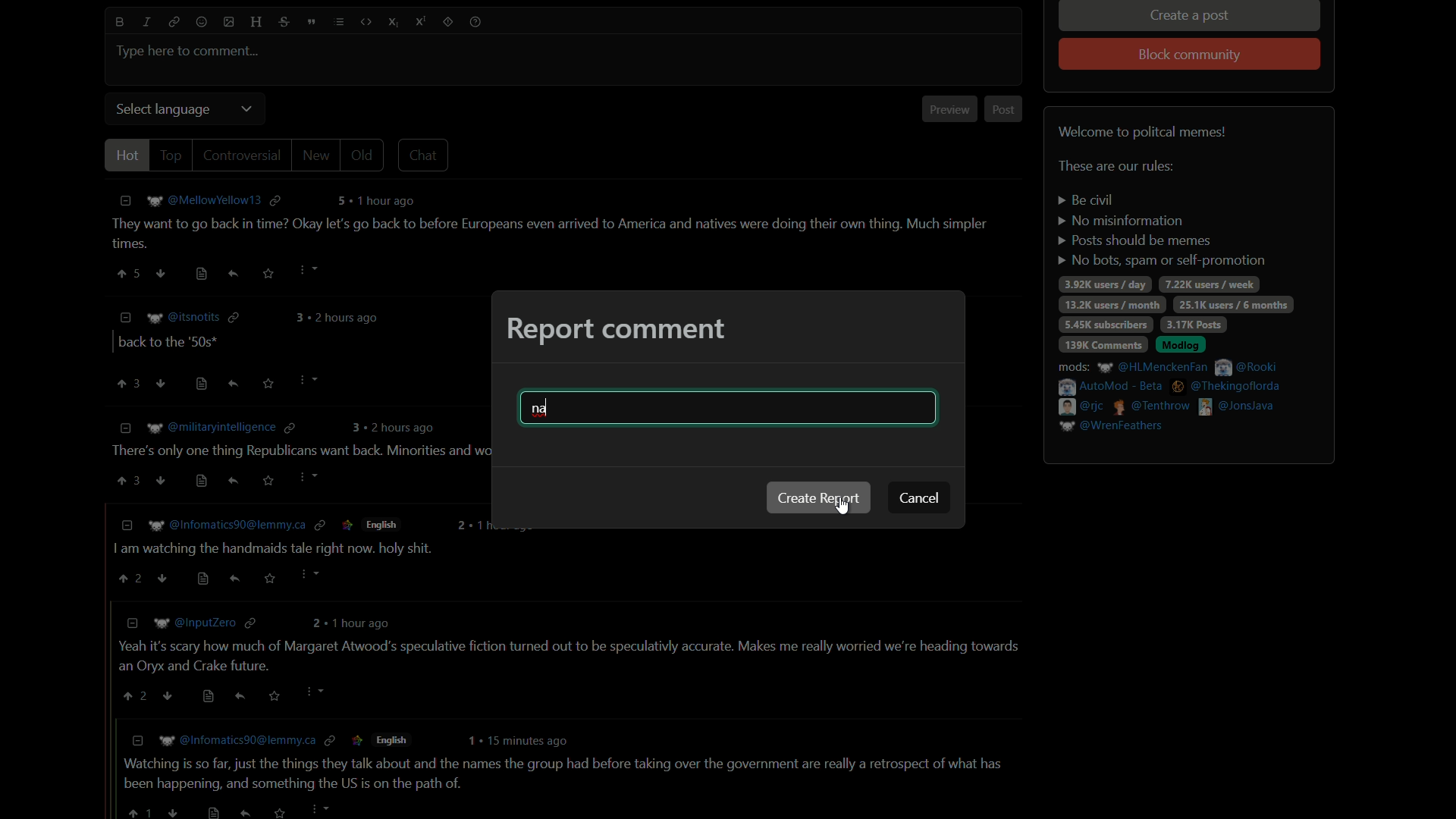  What do you see at coordinates (841, 508) in the screenshot?
I see `cursor` at bounding box center [841, 508].